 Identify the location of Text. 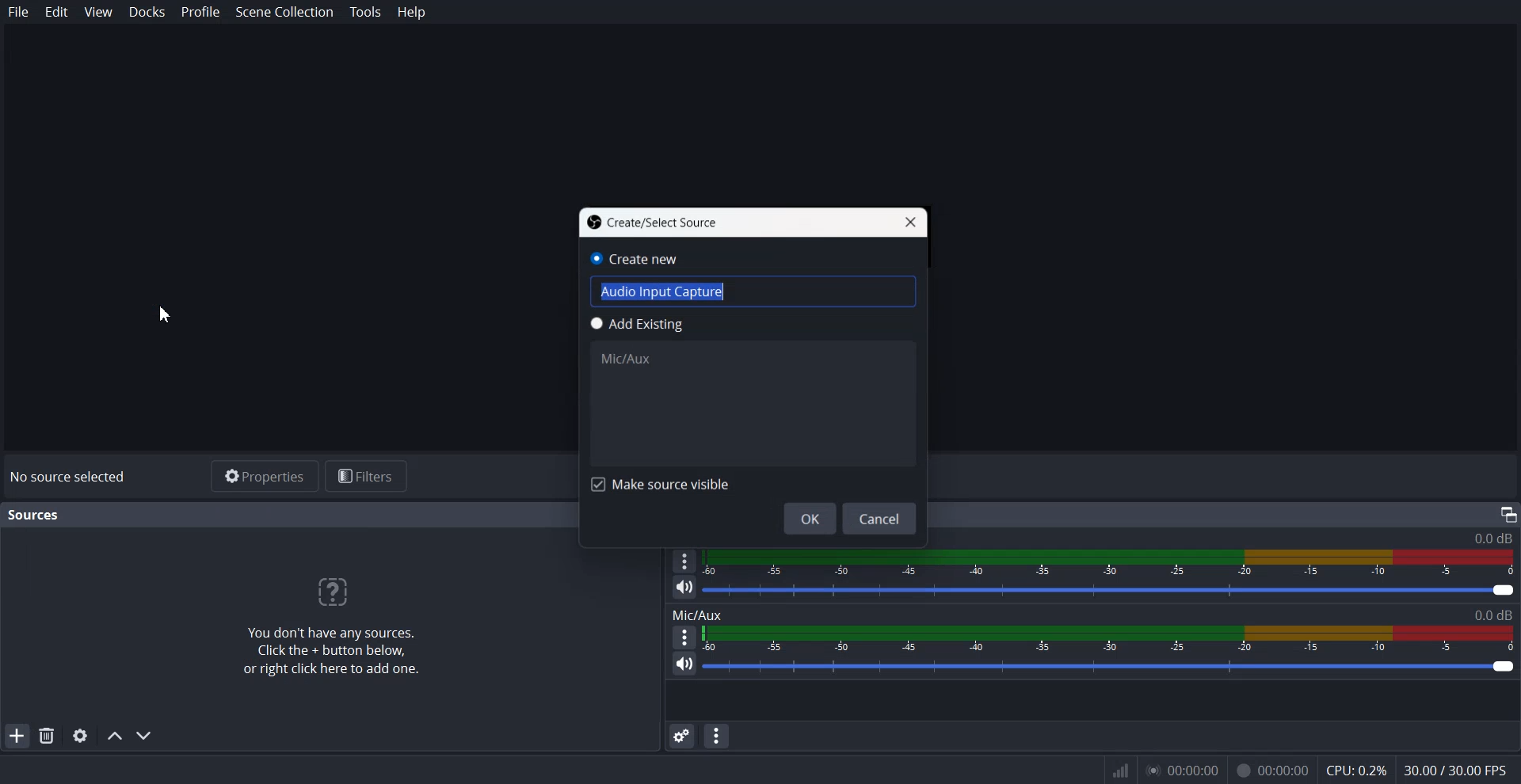
(1092, 613).